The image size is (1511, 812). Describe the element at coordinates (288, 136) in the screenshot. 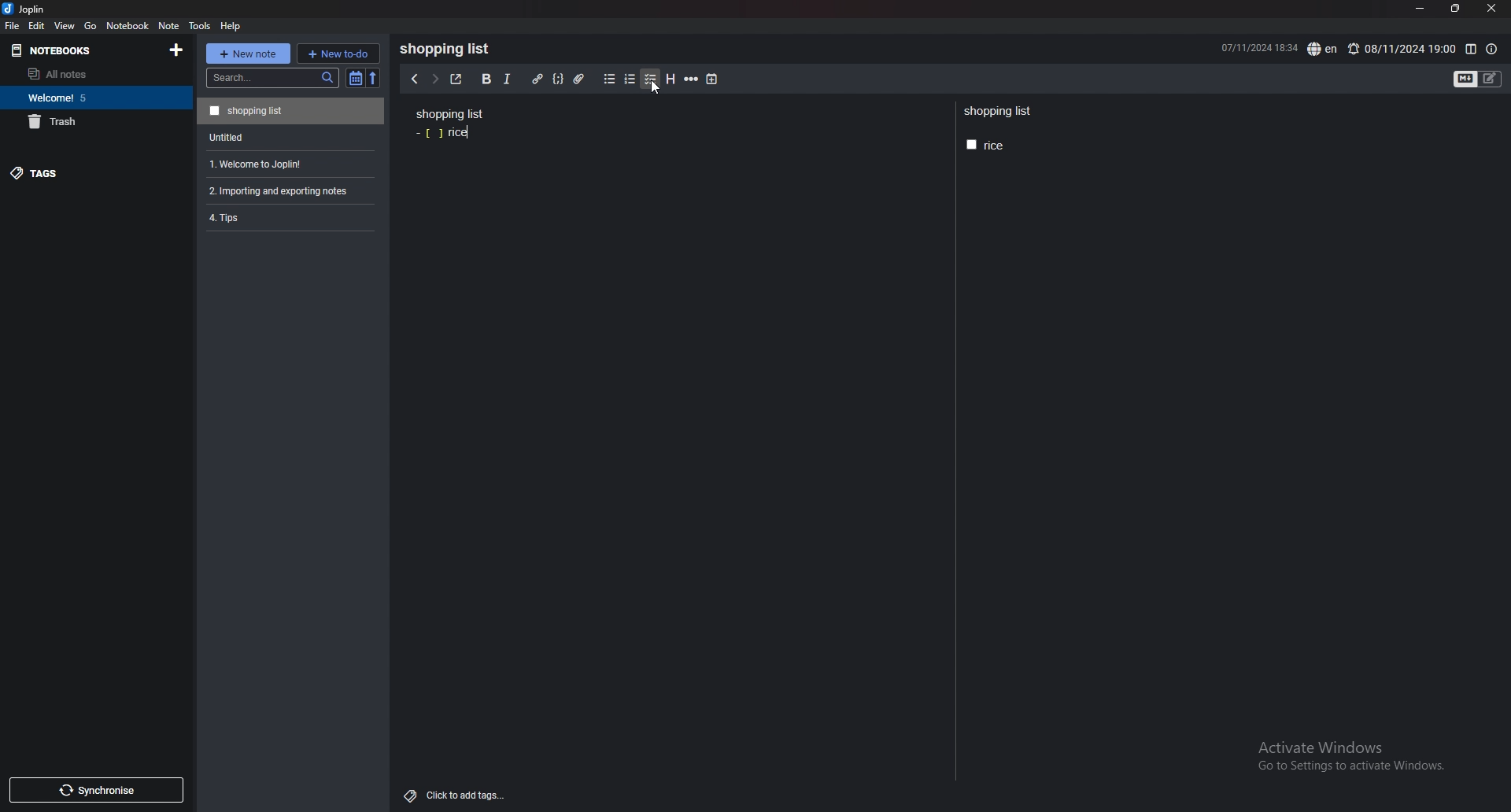

I see `Untitled` at that location.